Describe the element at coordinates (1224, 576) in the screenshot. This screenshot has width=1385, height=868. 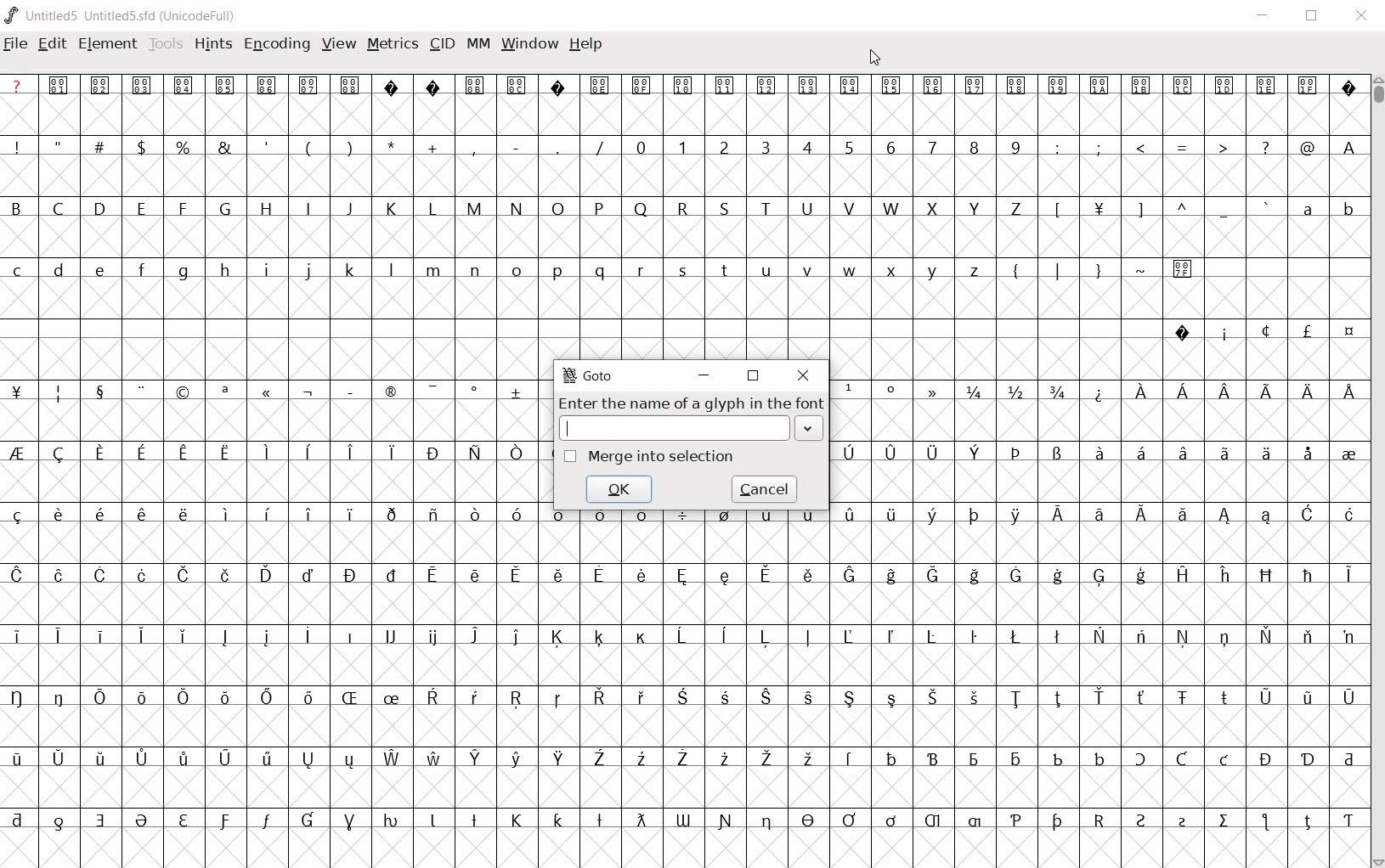
I see `Symbol` at that location.